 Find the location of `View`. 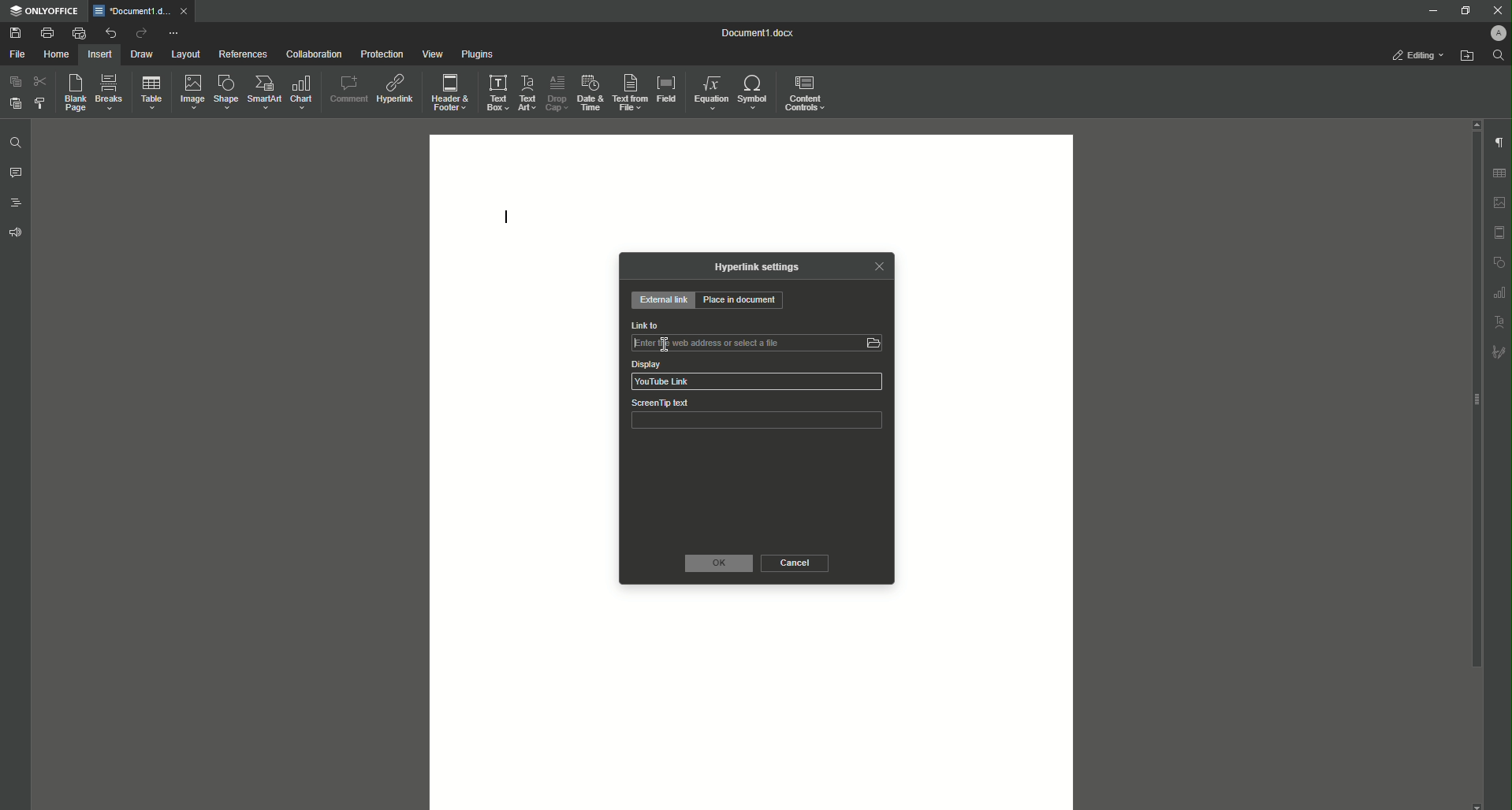

View is located at coordinates (433, 54).